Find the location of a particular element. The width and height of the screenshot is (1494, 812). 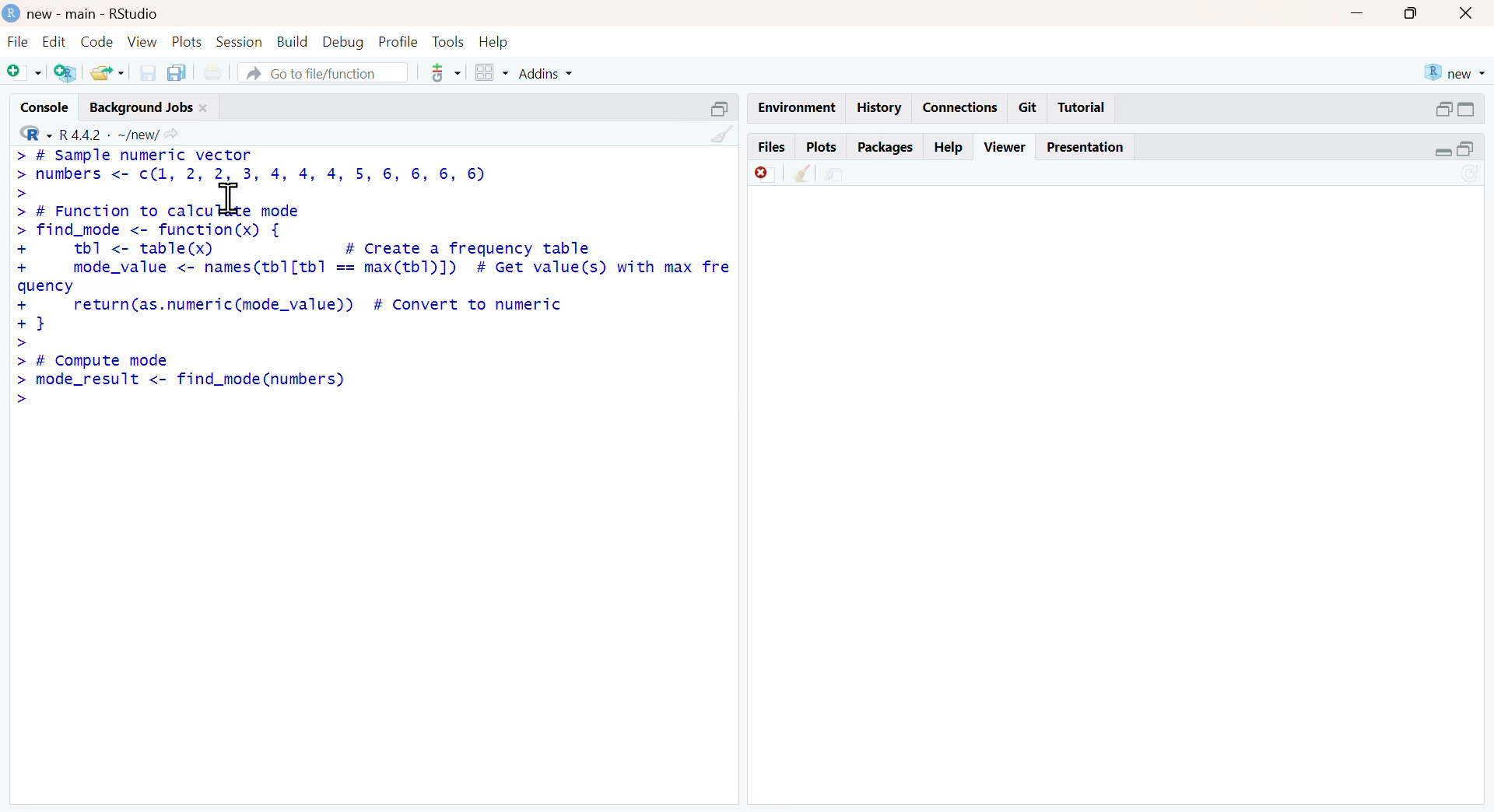

debug is located at coordinates (344, 43).